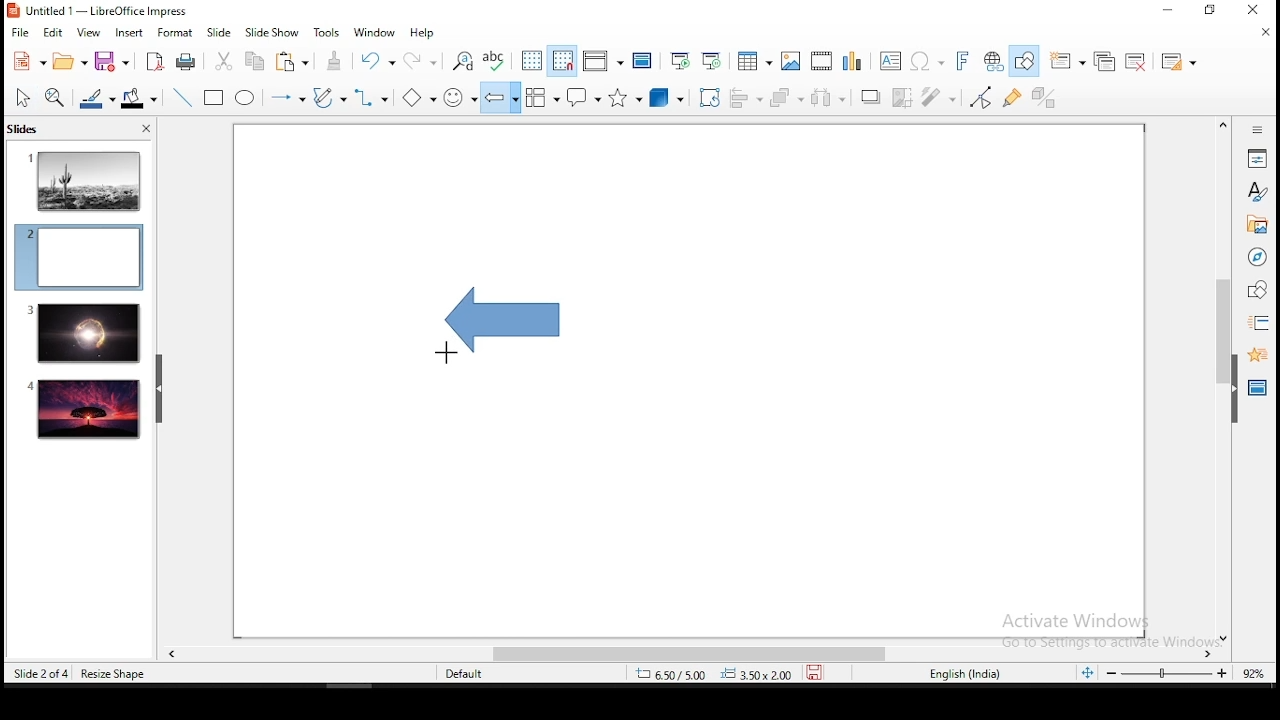  I want to click on align objects, so click(751, 99).